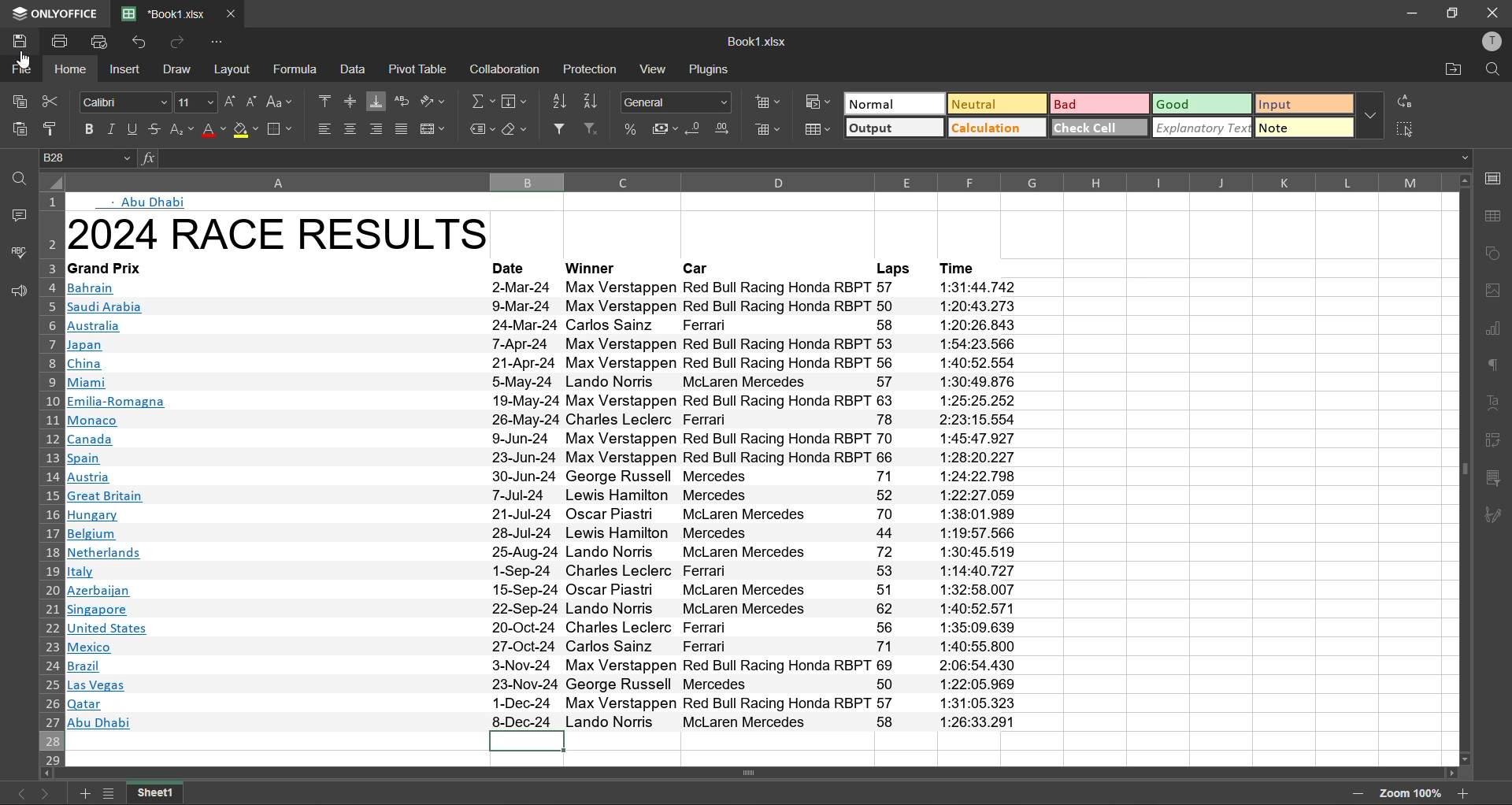  What do you see at coordinates (543, 609) in the screenshot?
I see `Singapore 22-Sep-24 Lando Norris McLaren Mercedes 62 1:40:52.571` at bounding box center [543, 609].